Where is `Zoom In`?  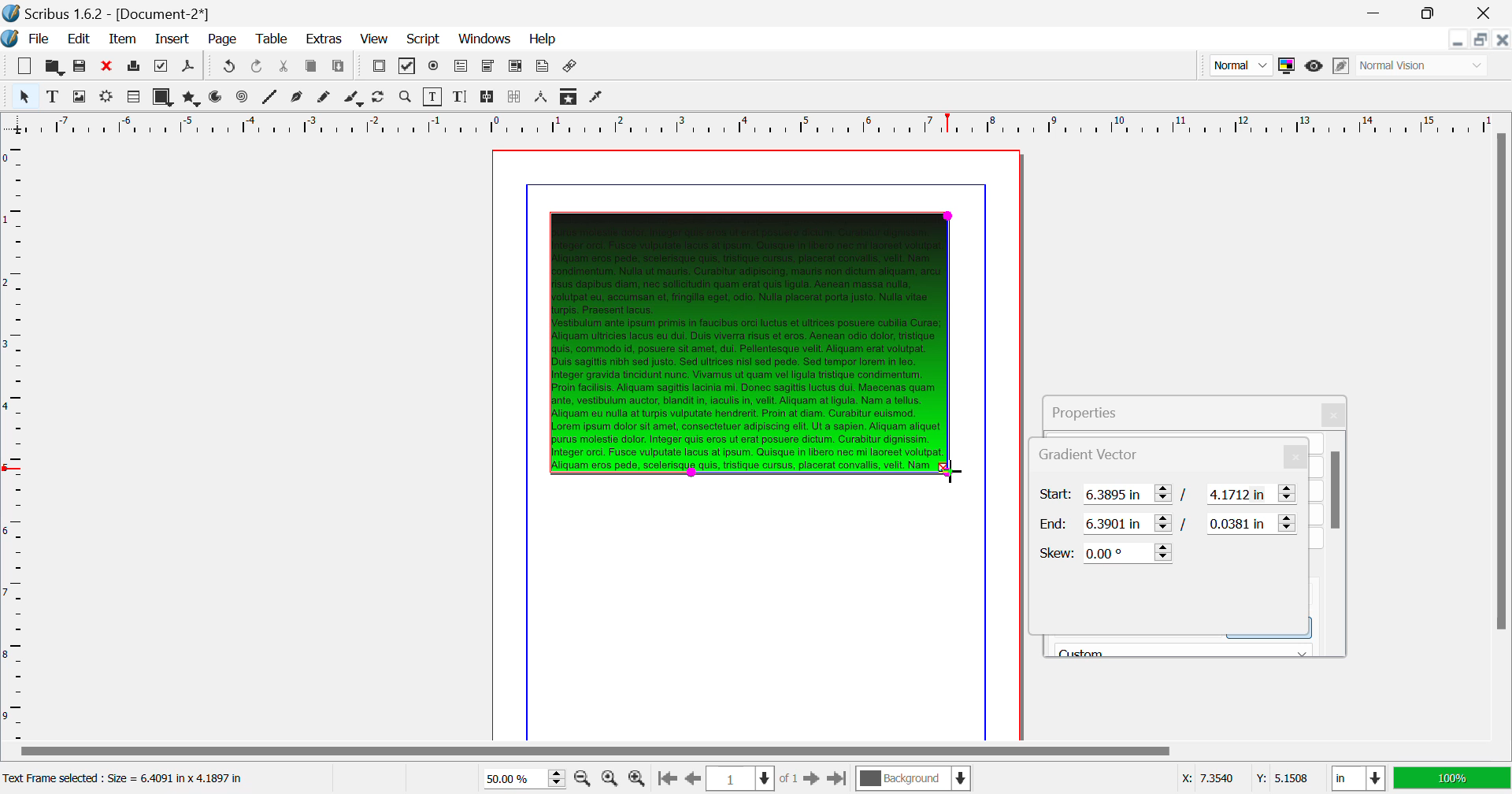
Zoom In is located at coordinates (638, 779).